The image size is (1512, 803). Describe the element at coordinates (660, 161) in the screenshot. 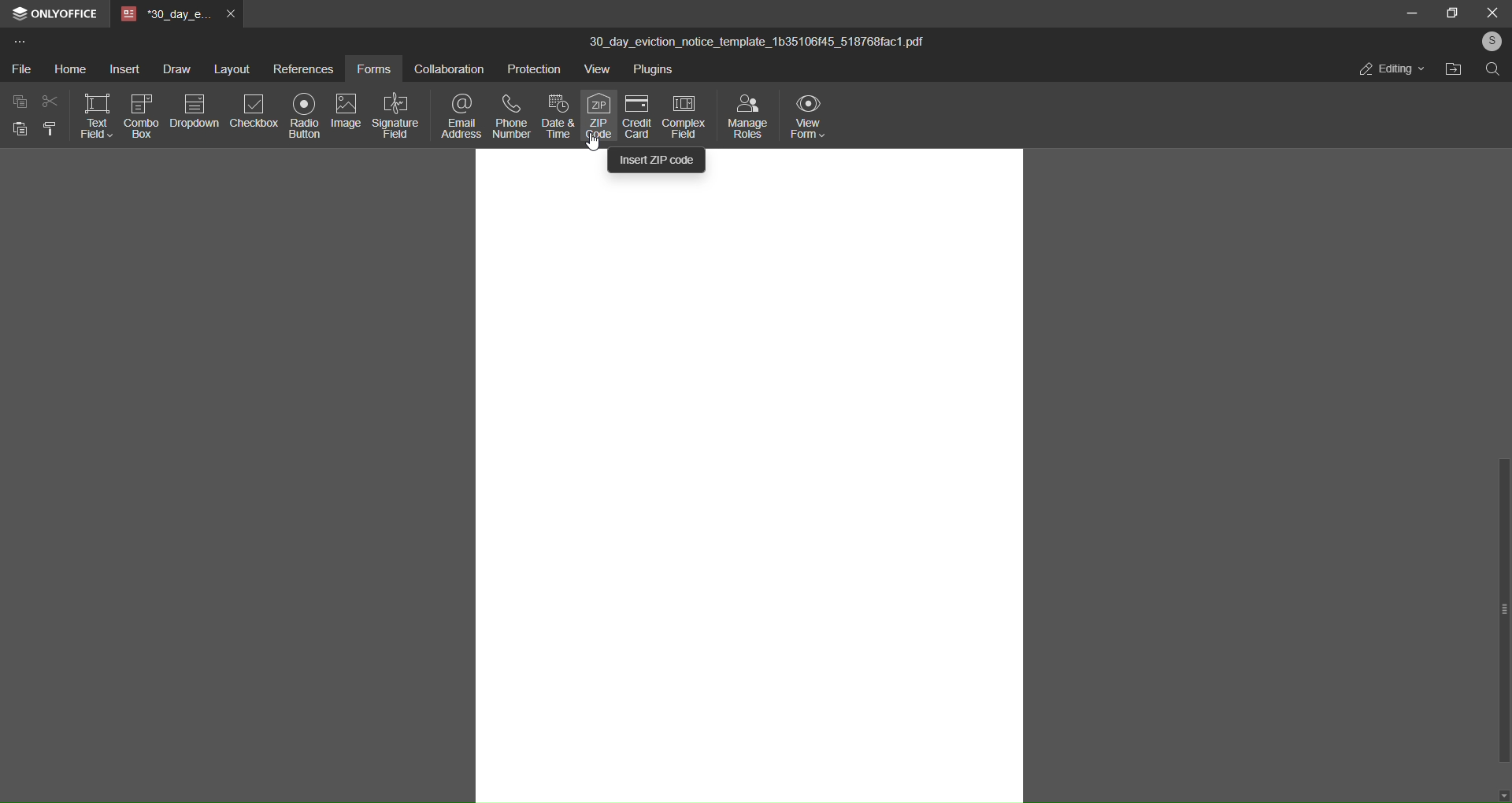

I see `insert zip code` at that location.